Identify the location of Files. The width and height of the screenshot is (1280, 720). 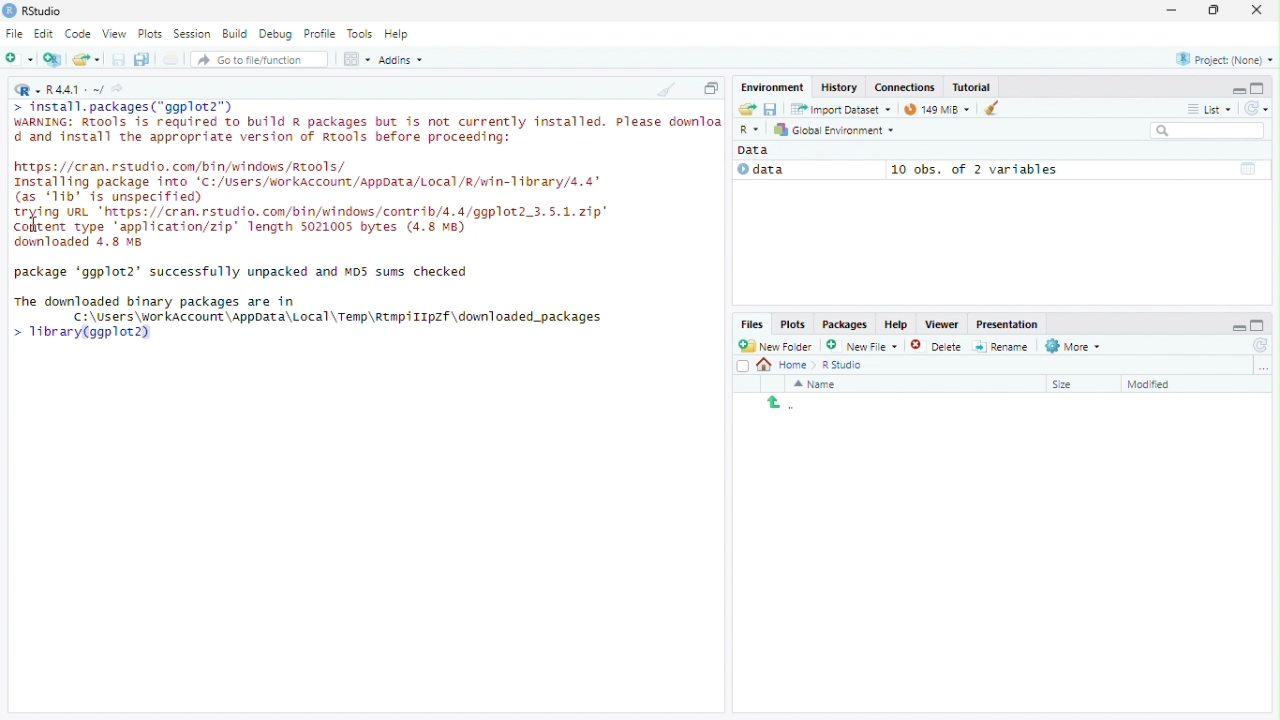
(753, 325).